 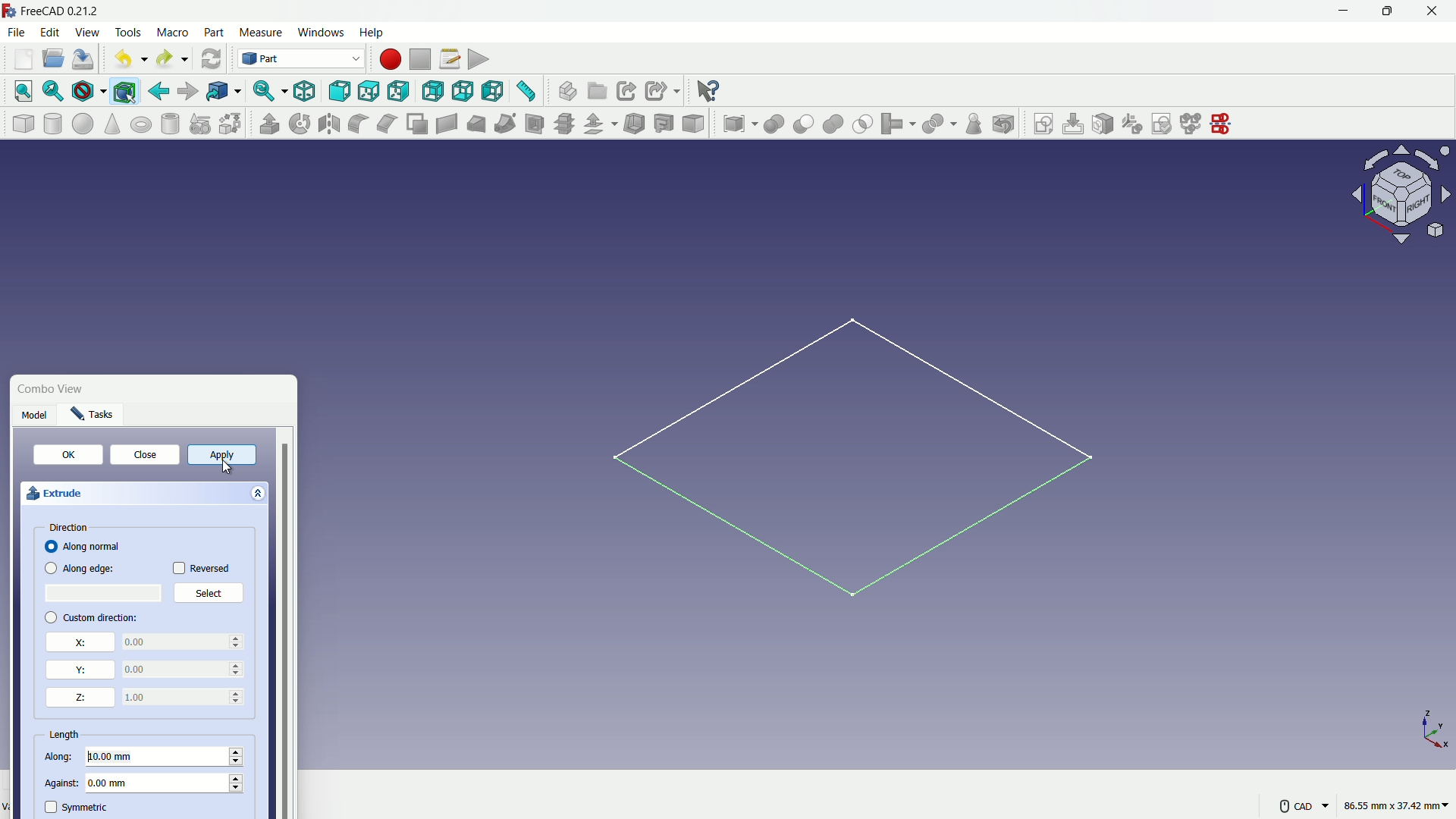 I want to click on projection, so click(x=664, y=124).